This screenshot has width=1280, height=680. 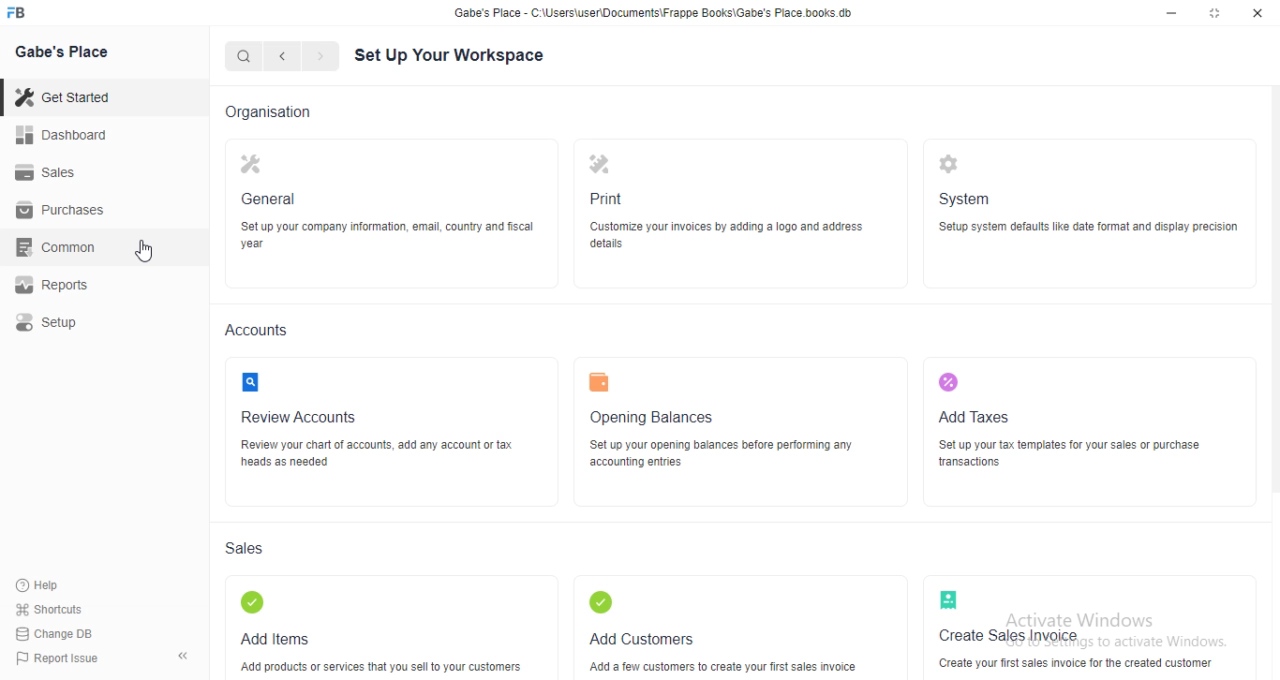 I want to click on Sales, so click(x=52, y=171).